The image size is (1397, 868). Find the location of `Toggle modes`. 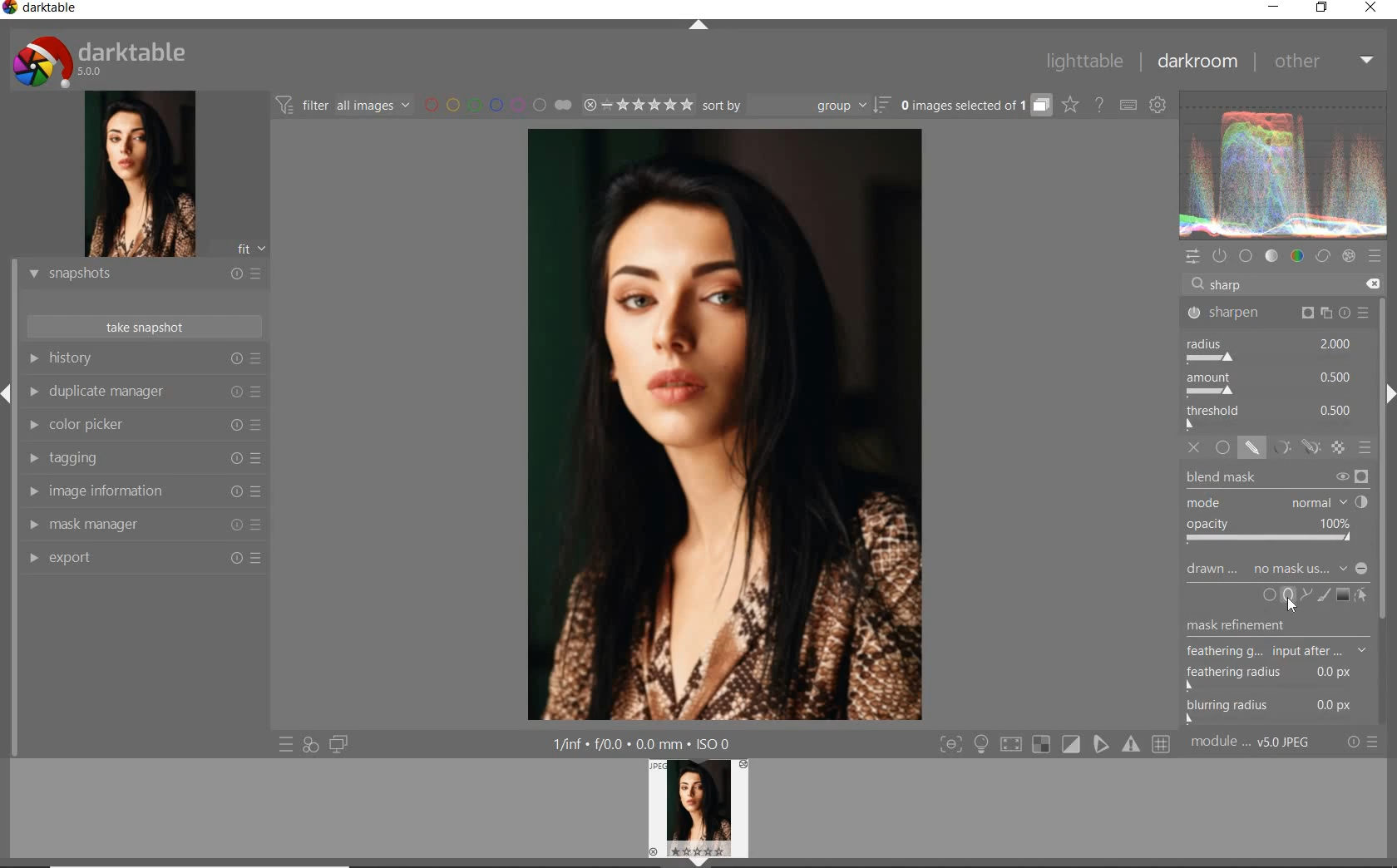

Toggle modes is located at coordinates (1054, 744).